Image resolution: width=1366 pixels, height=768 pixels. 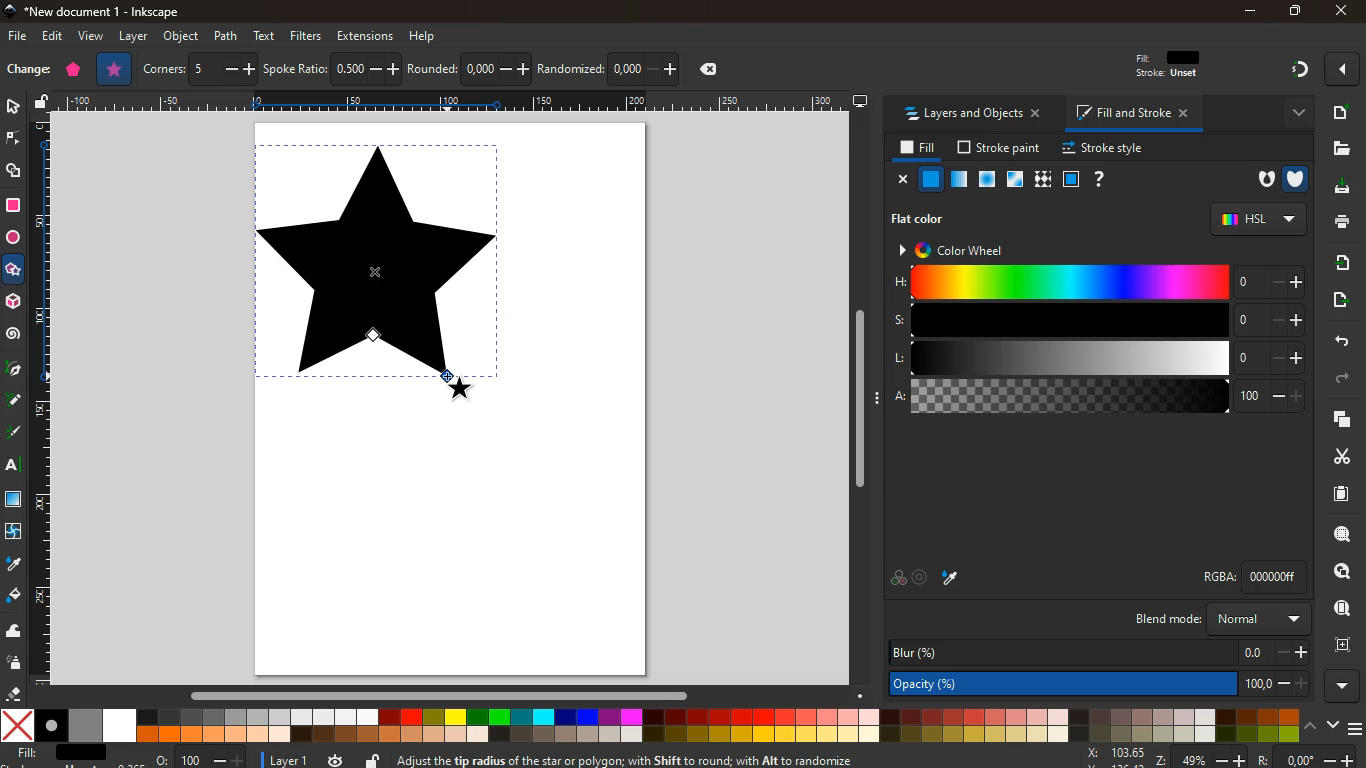 What do you see at coordinates (306, 35) in the screenshot?
I see `filters` at bounding box center [306, 35].